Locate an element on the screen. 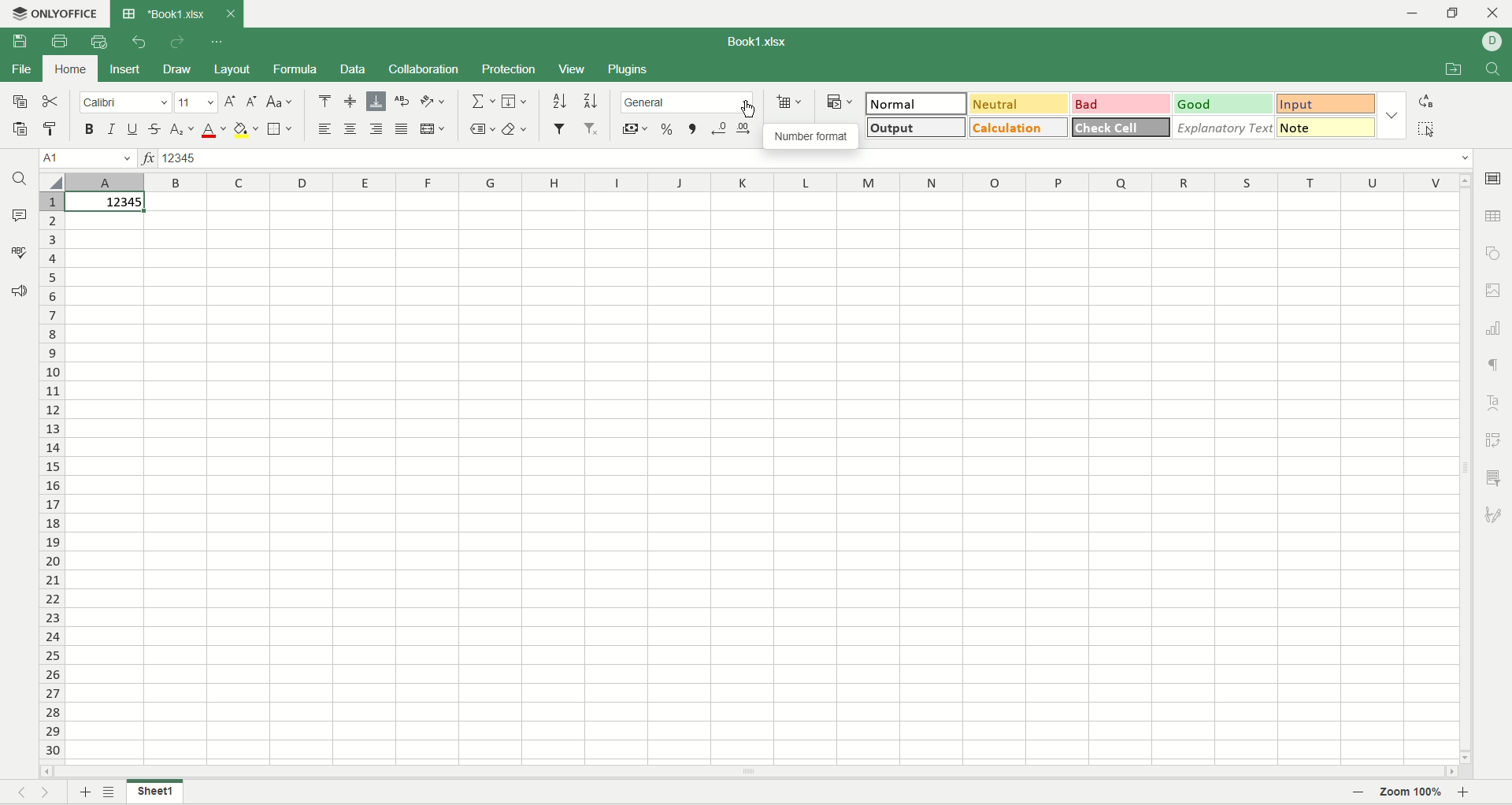  input line is located at coordinates (818, 159).